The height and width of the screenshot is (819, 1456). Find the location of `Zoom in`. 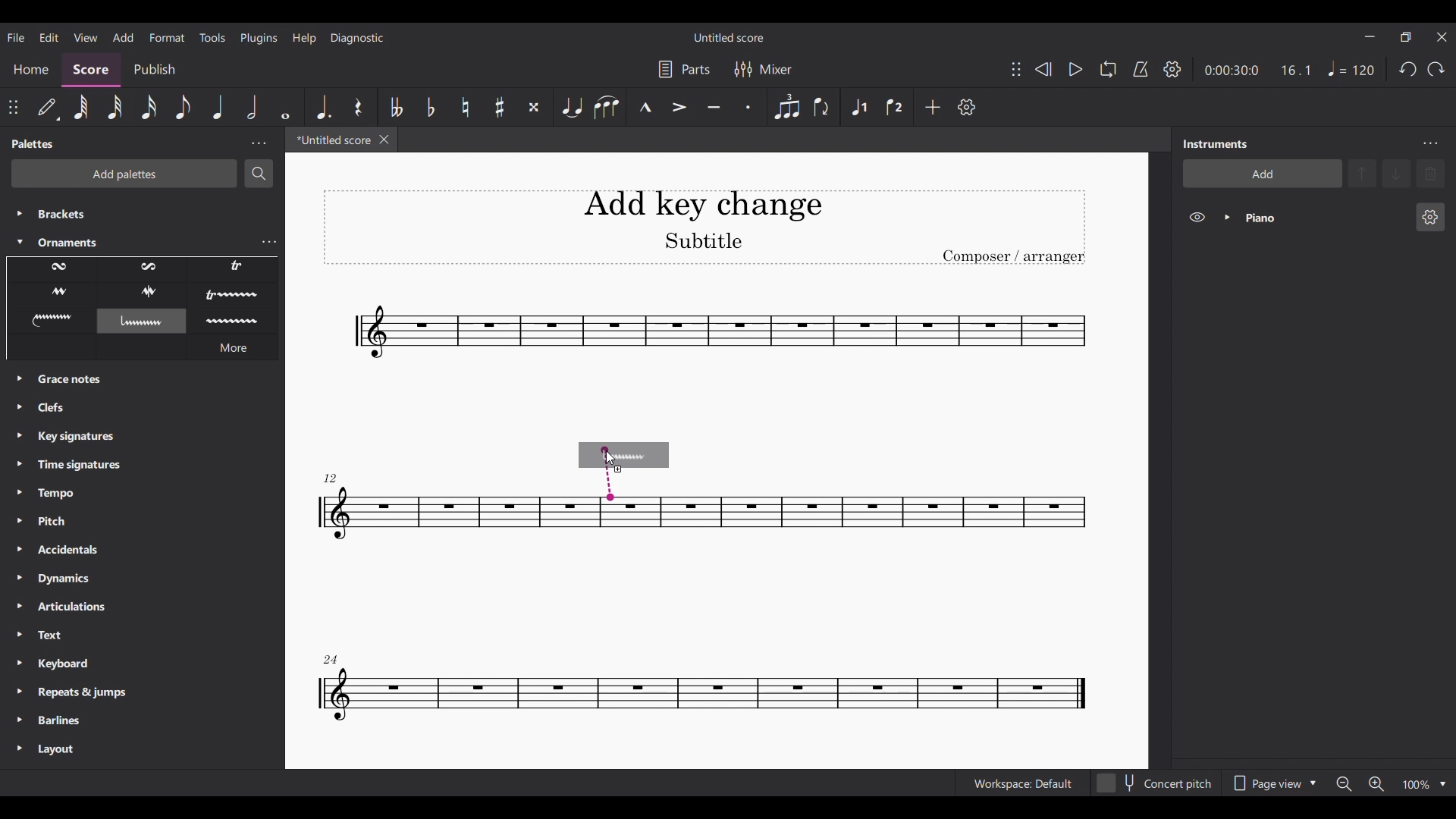

Zoom in is located at coordinates (1376, 784).